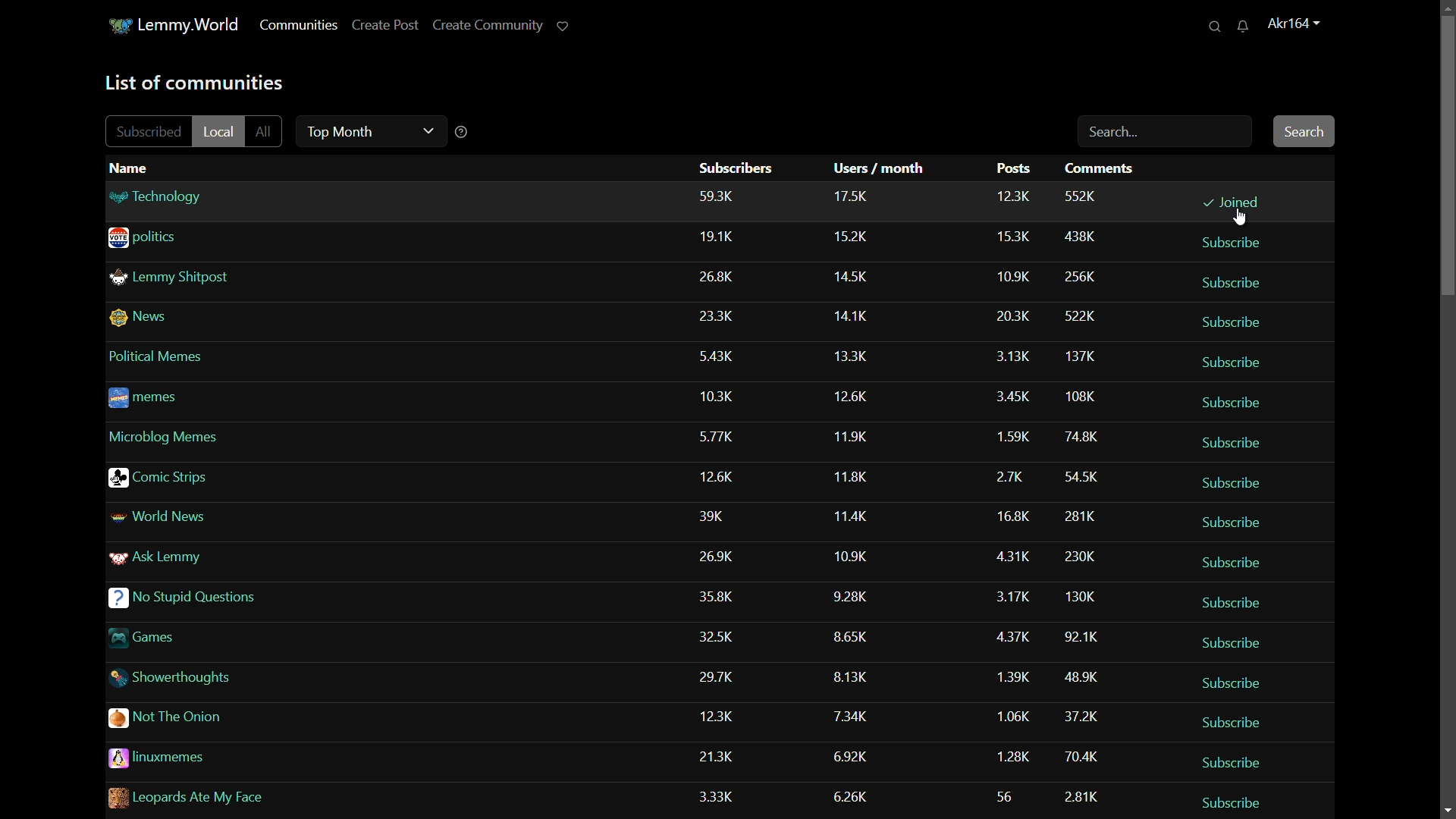 The width and height of the screenshot is (1456, 819). I want to click on posts, so click(1014, 273).